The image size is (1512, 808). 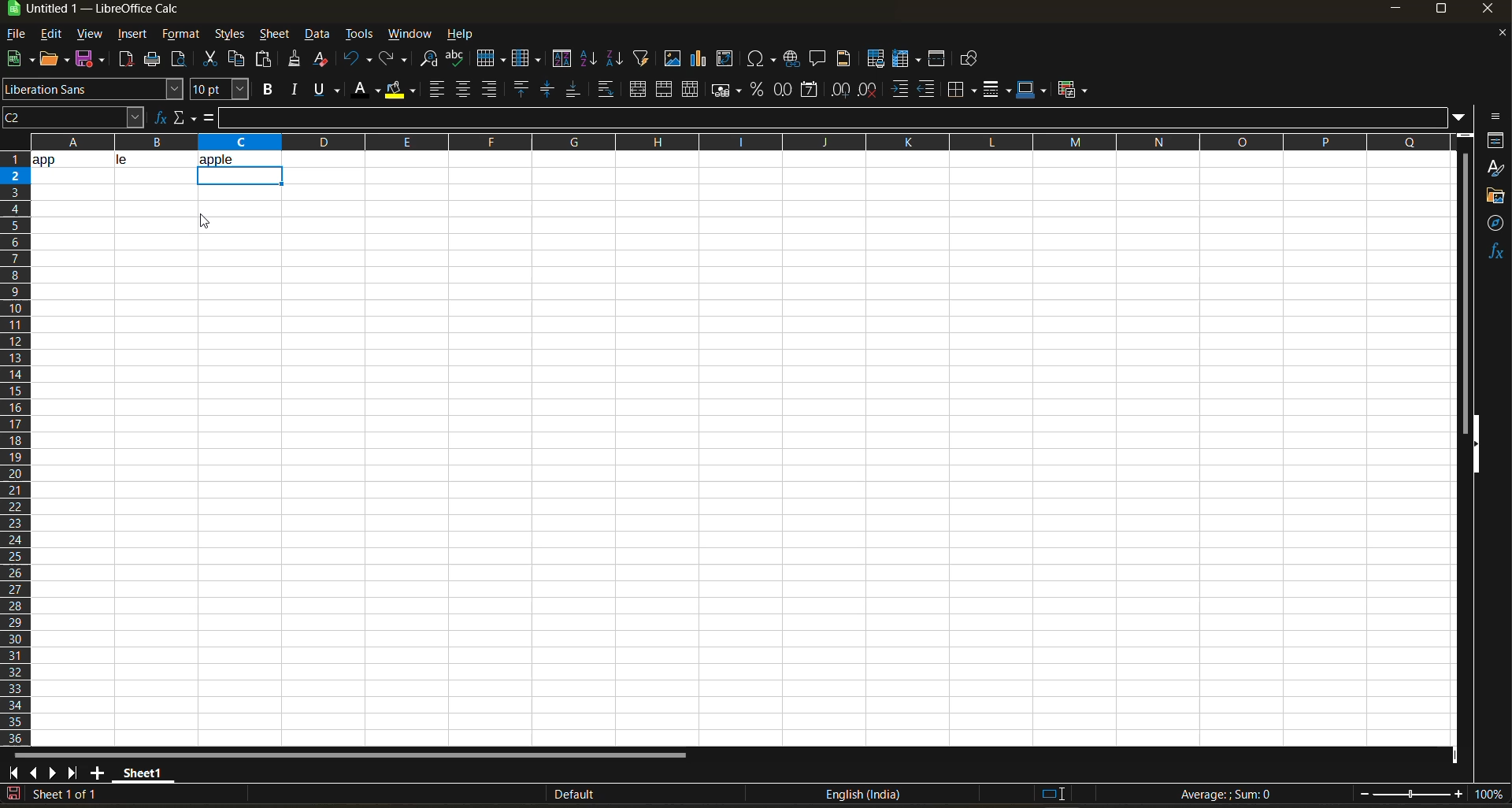 What do you see at coordinates (734, 137) in the screenshot?
I see `rows` at bounding box center [734, 137].